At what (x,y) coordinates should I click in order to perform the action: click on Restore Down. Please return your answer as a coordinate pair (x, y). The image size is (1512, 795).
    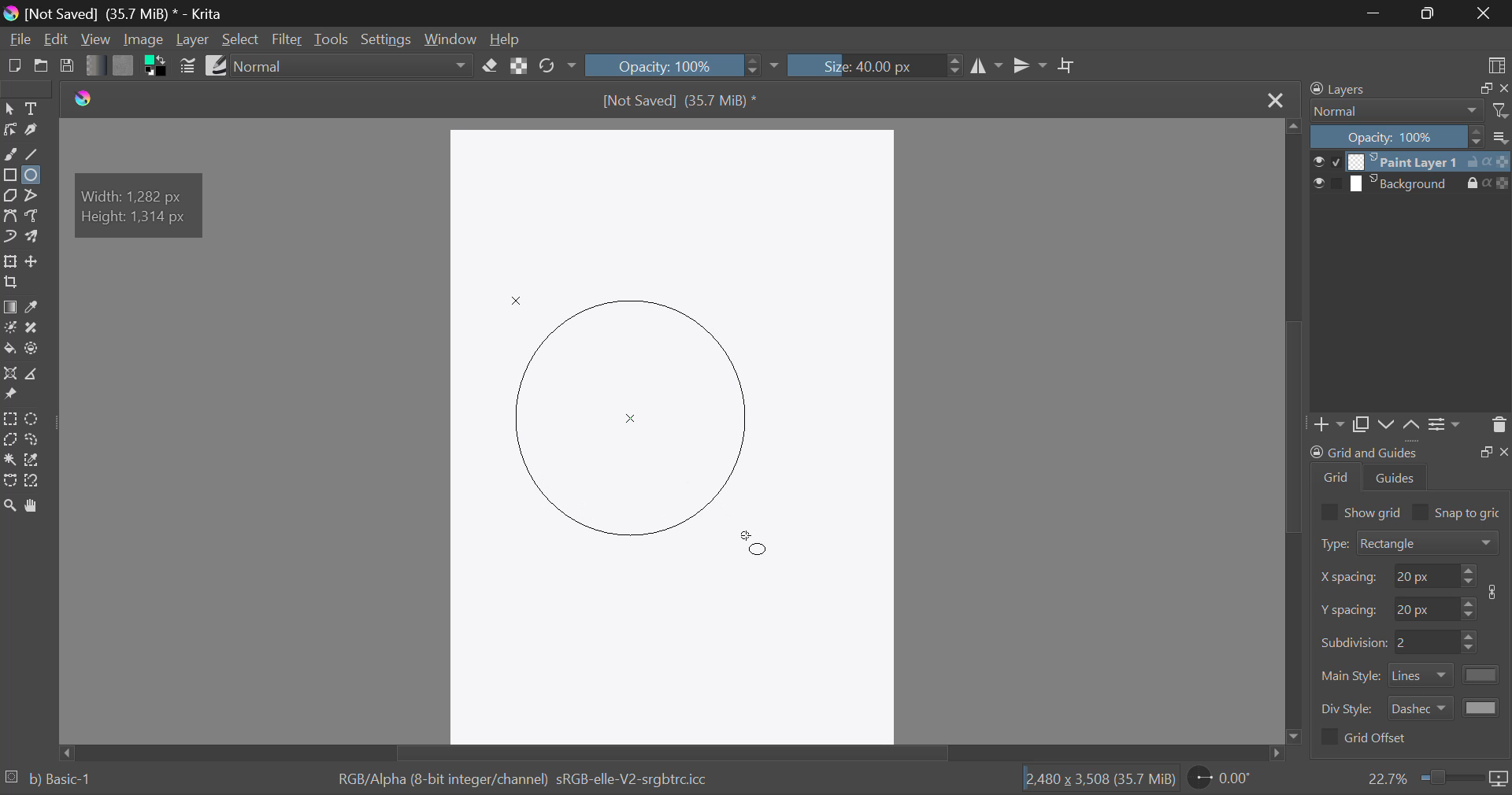
    Looking at the image, I should click on (1375, 13).